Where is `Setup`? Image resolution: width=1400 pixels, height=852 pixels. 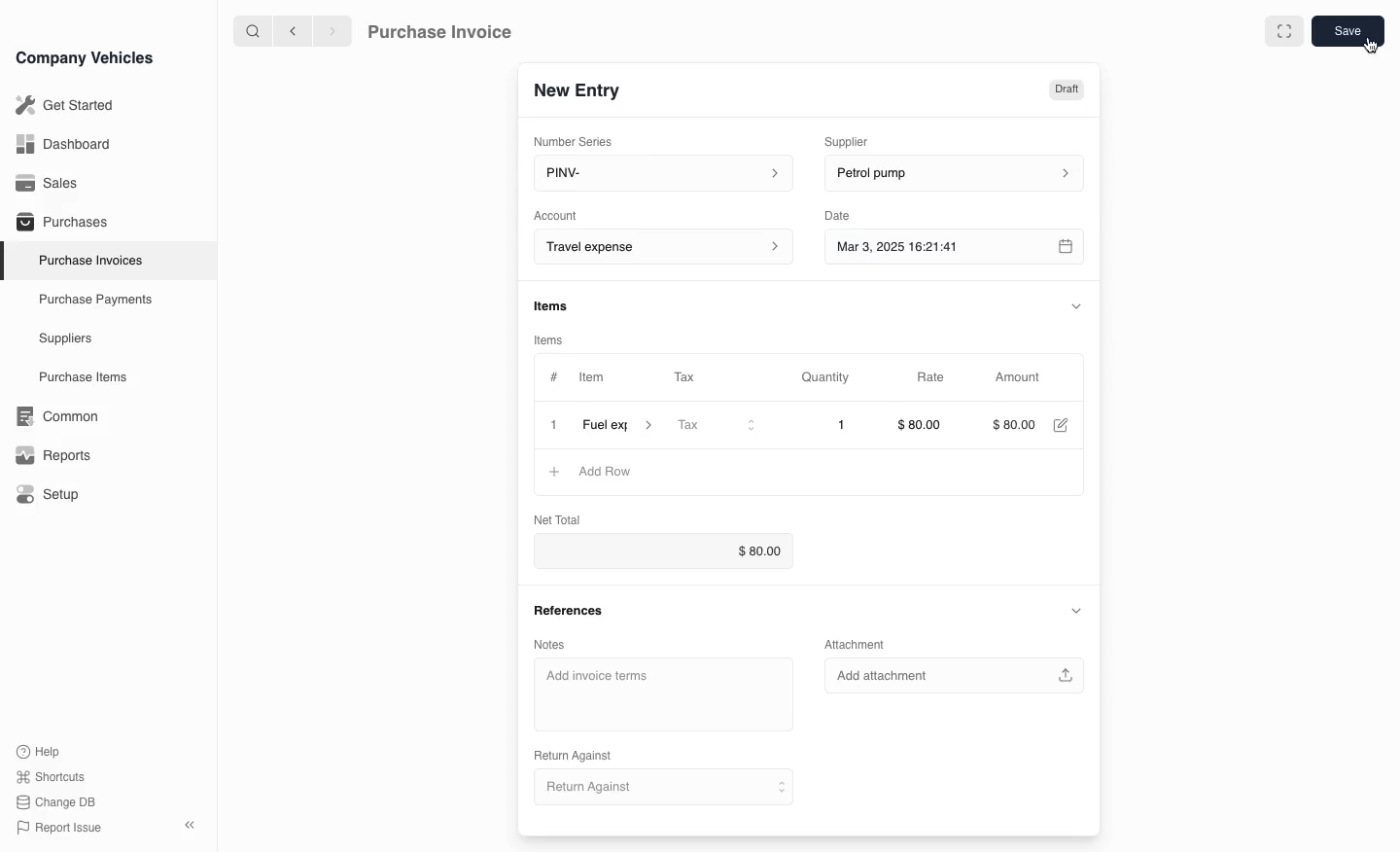
Setup is located at coordinates (52, 495).